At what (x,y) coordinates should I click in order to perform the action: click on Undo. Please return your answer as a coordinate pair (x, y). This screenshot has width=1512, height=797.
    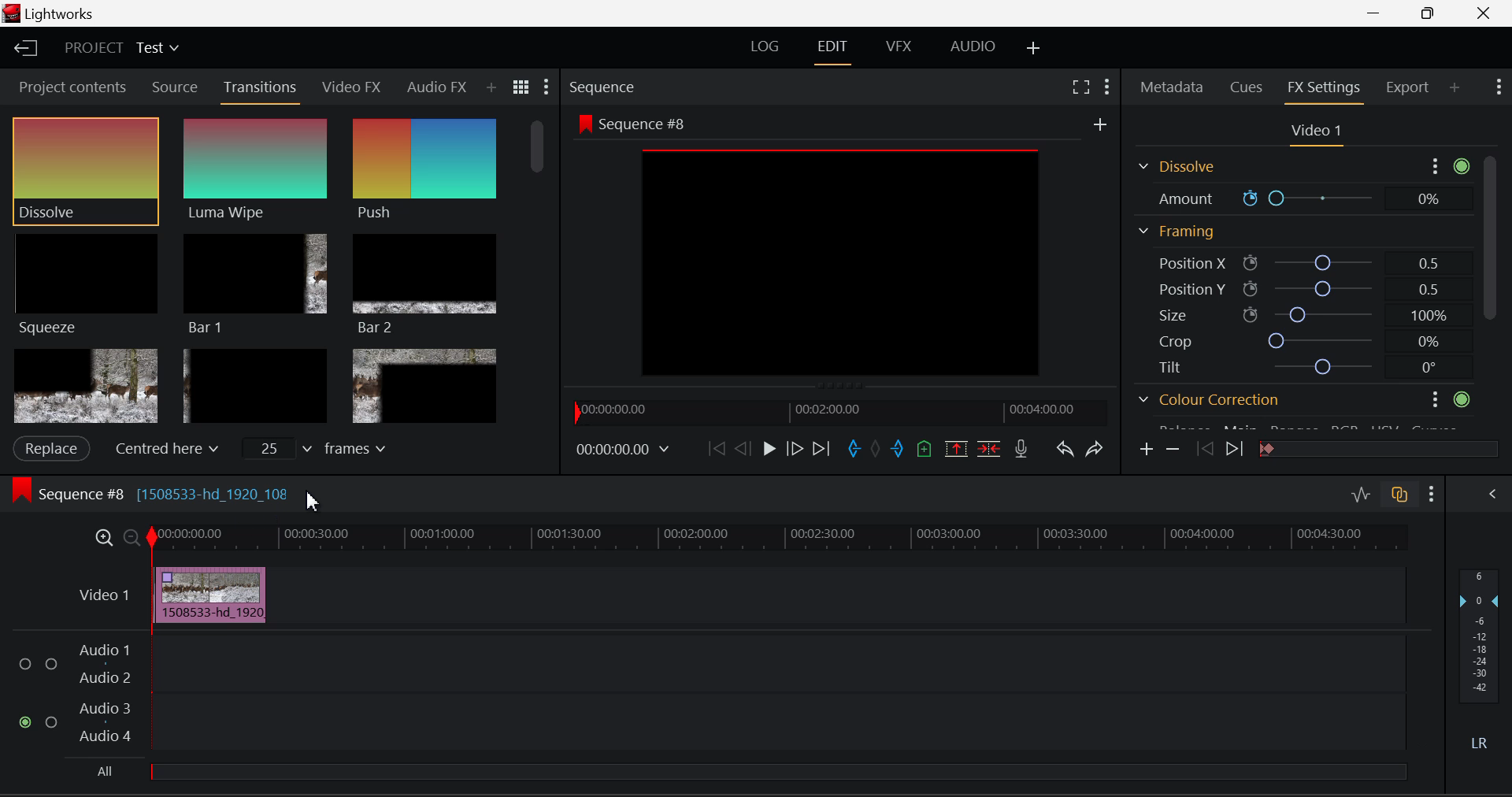
    Looking at the image, I should click on (1066, 450).